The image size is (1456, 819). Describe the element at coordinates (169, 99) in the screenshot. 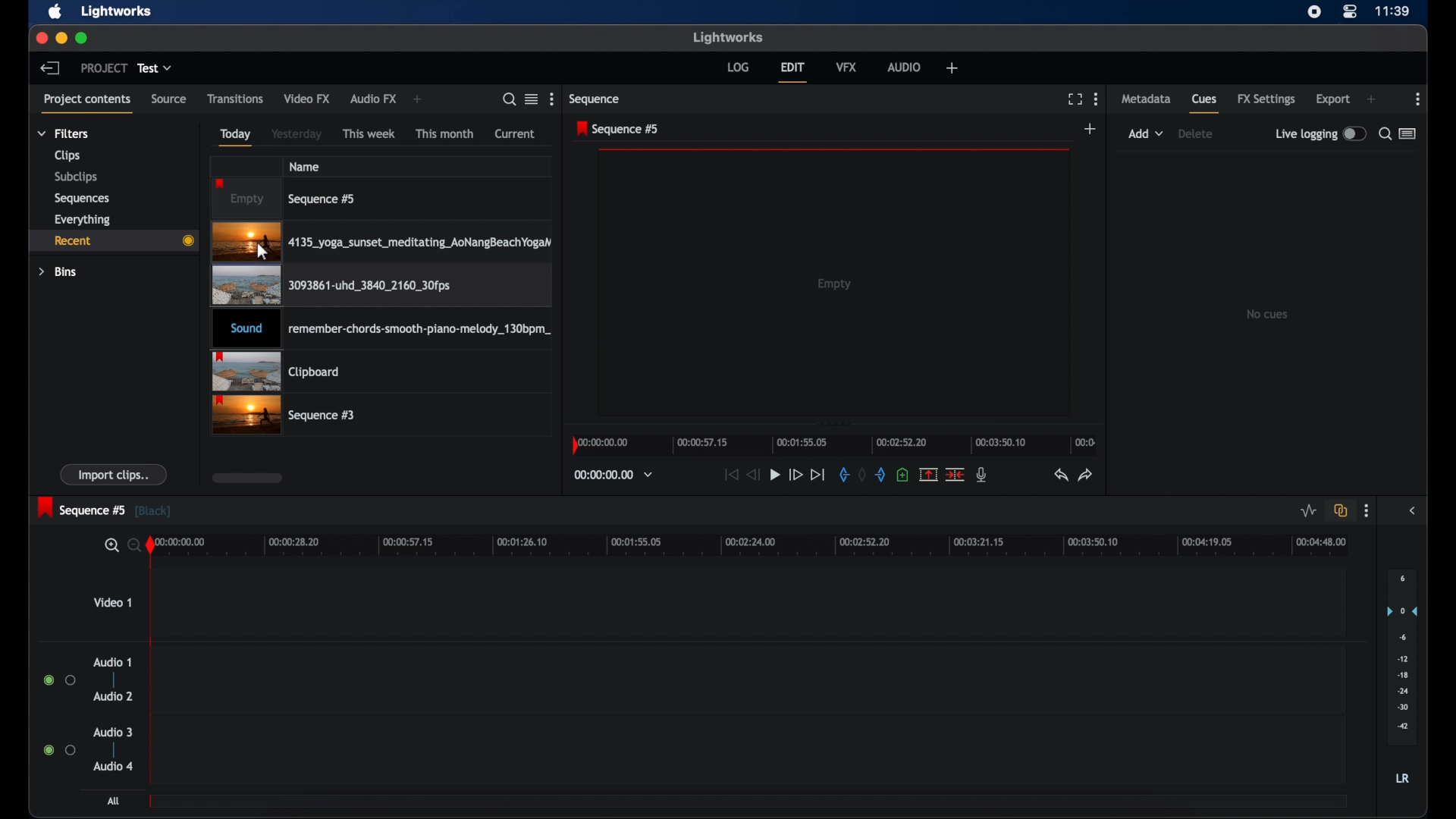

I see `source` at that location.